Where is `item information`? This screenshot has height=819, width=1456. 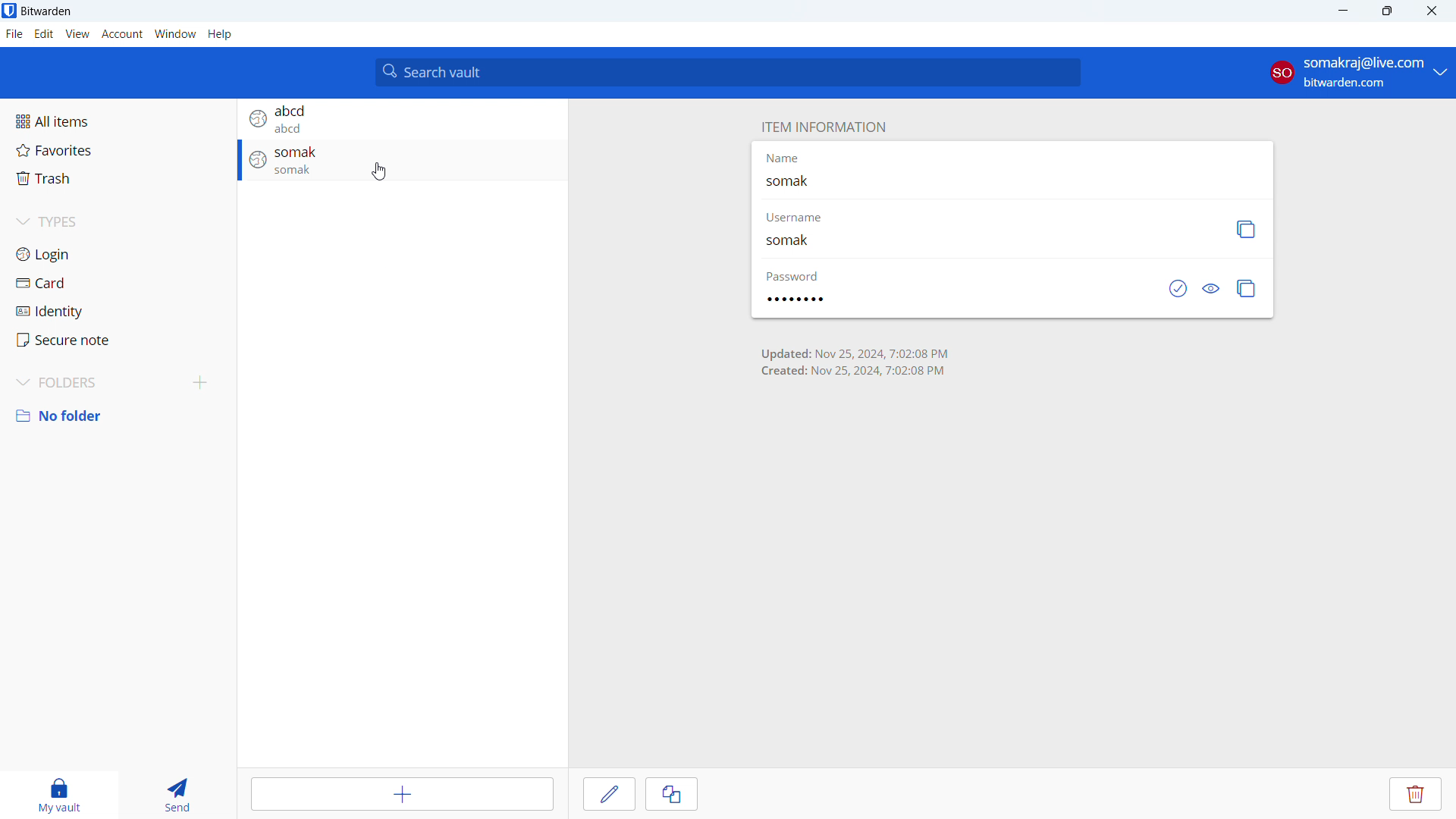
item information is located at coordinates (823, 128).